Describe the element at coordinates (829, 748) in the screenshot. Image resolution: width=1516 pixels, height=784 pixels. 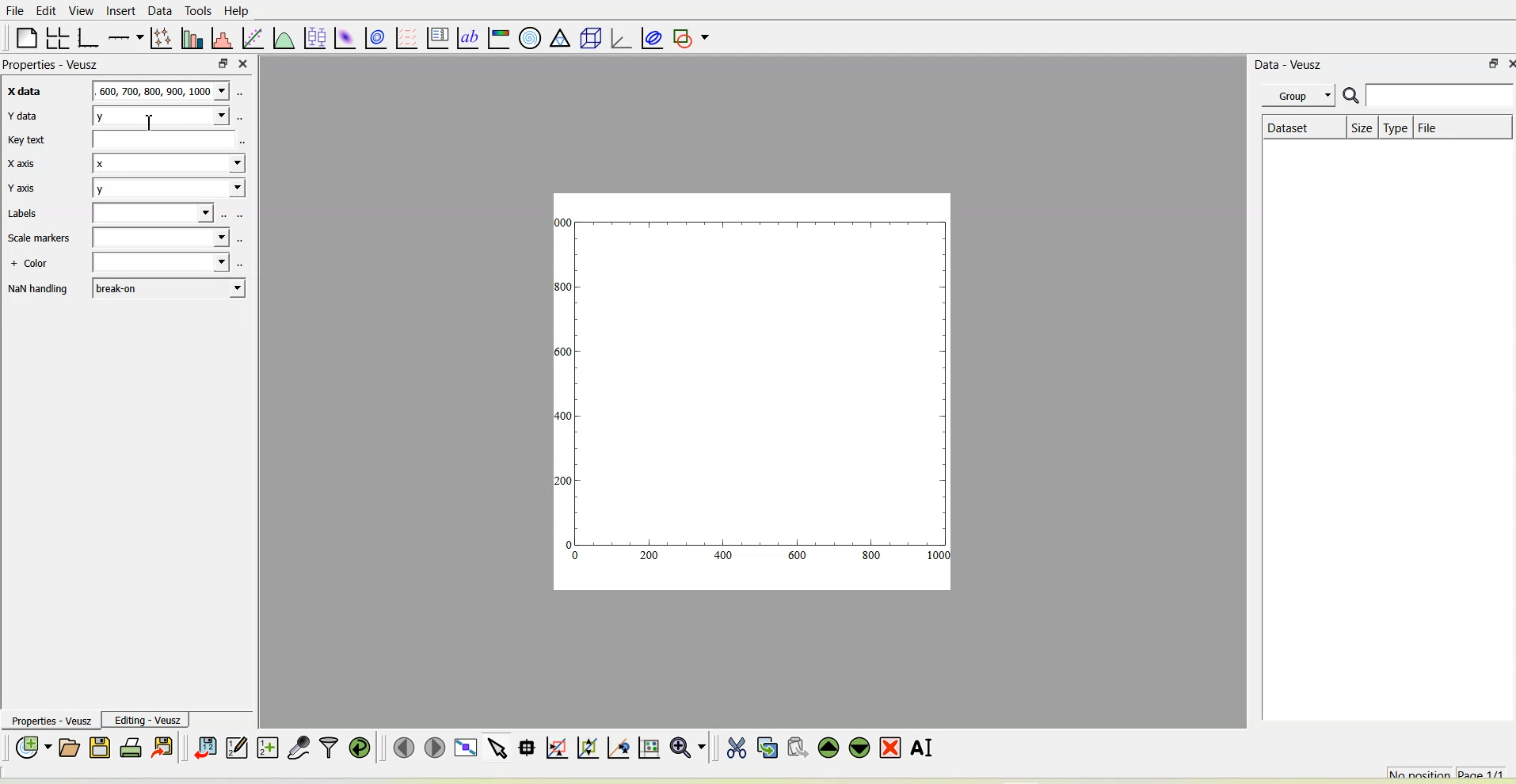
I see `Move the selected widget up` at that location.